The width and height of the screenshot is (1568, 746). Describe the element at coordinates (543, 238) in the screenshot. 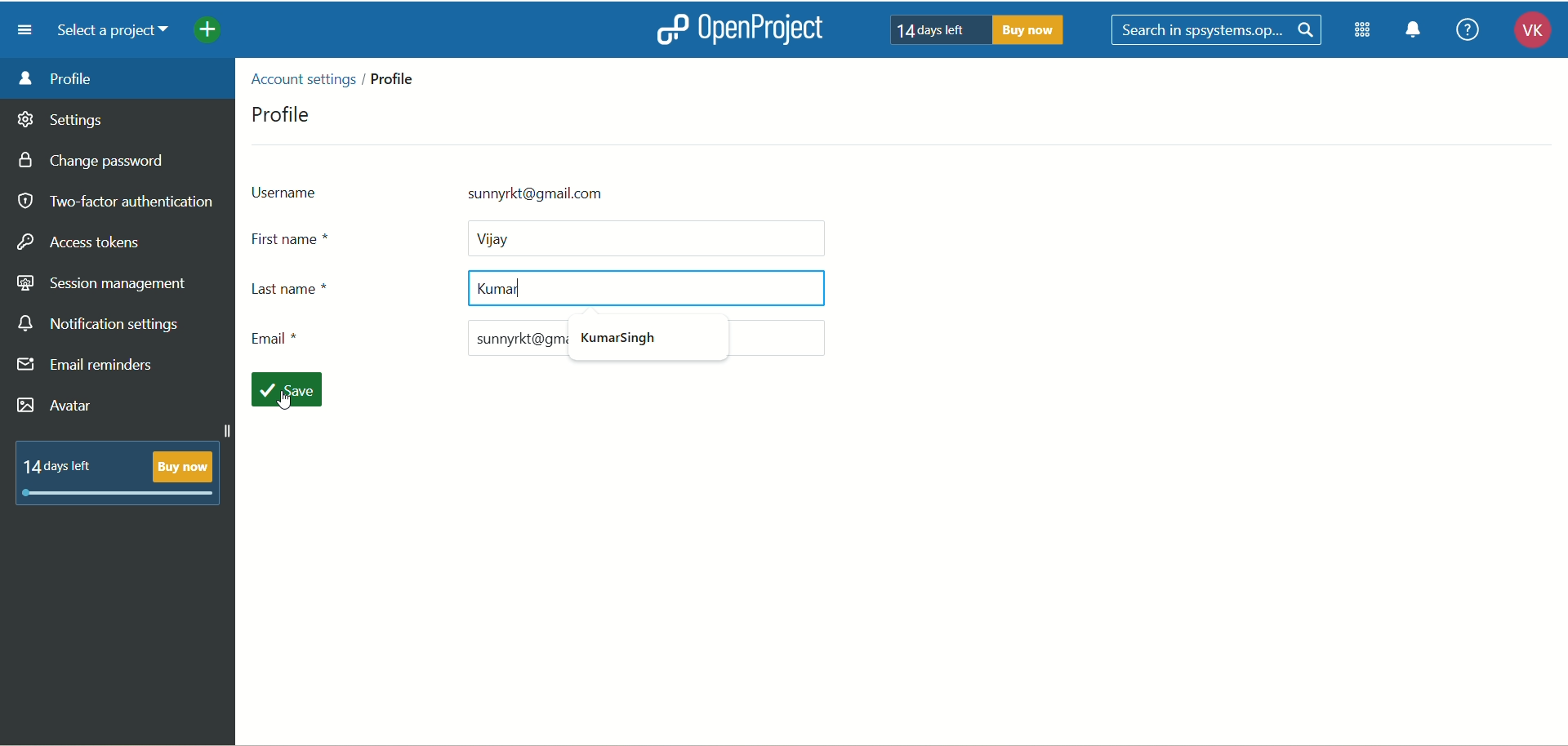

I see `first name` at that location.